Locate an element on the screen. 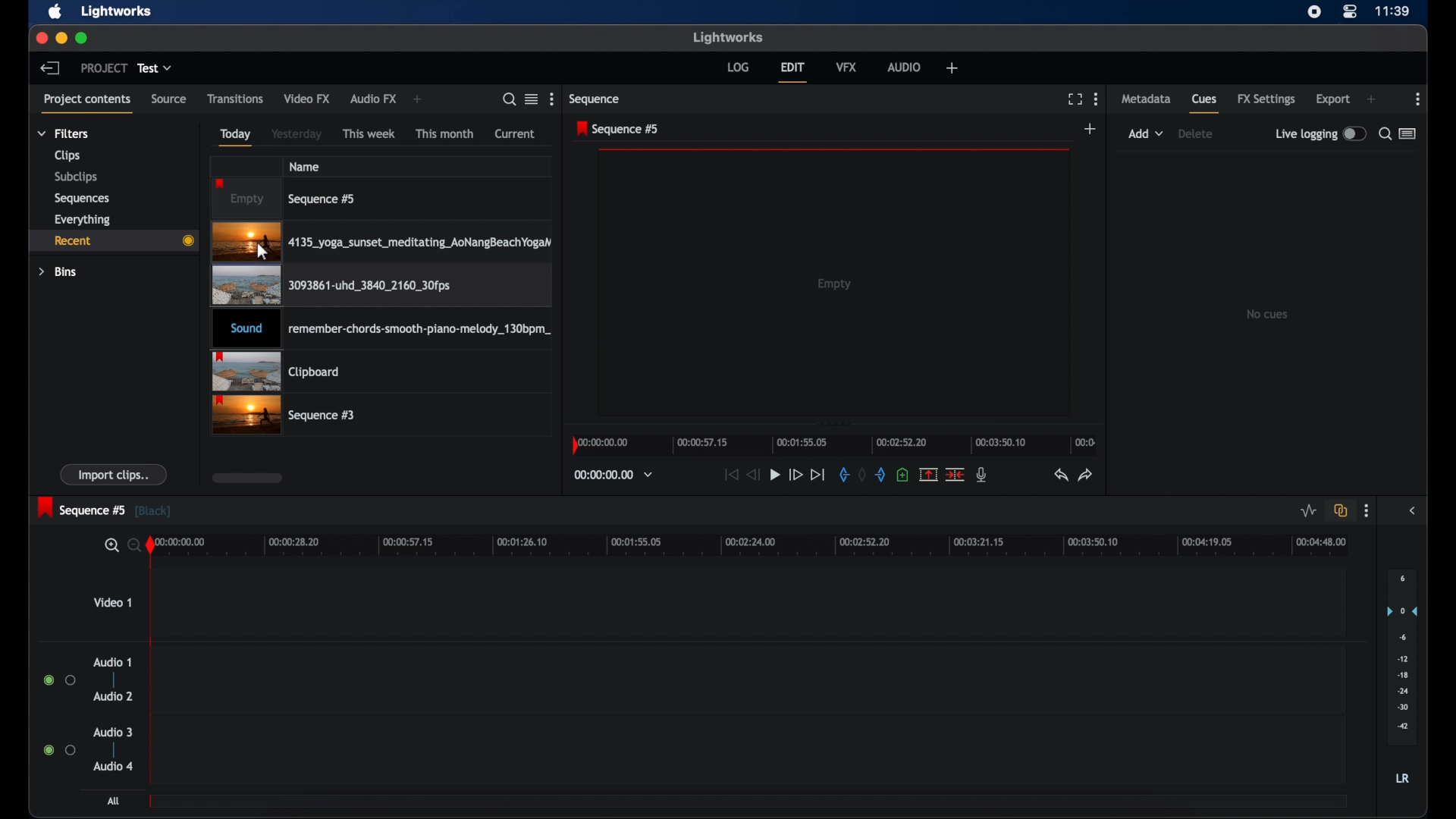 The width and height of the screenshot is (1456, 819). sidebar is located at coordinates (1412, 511).